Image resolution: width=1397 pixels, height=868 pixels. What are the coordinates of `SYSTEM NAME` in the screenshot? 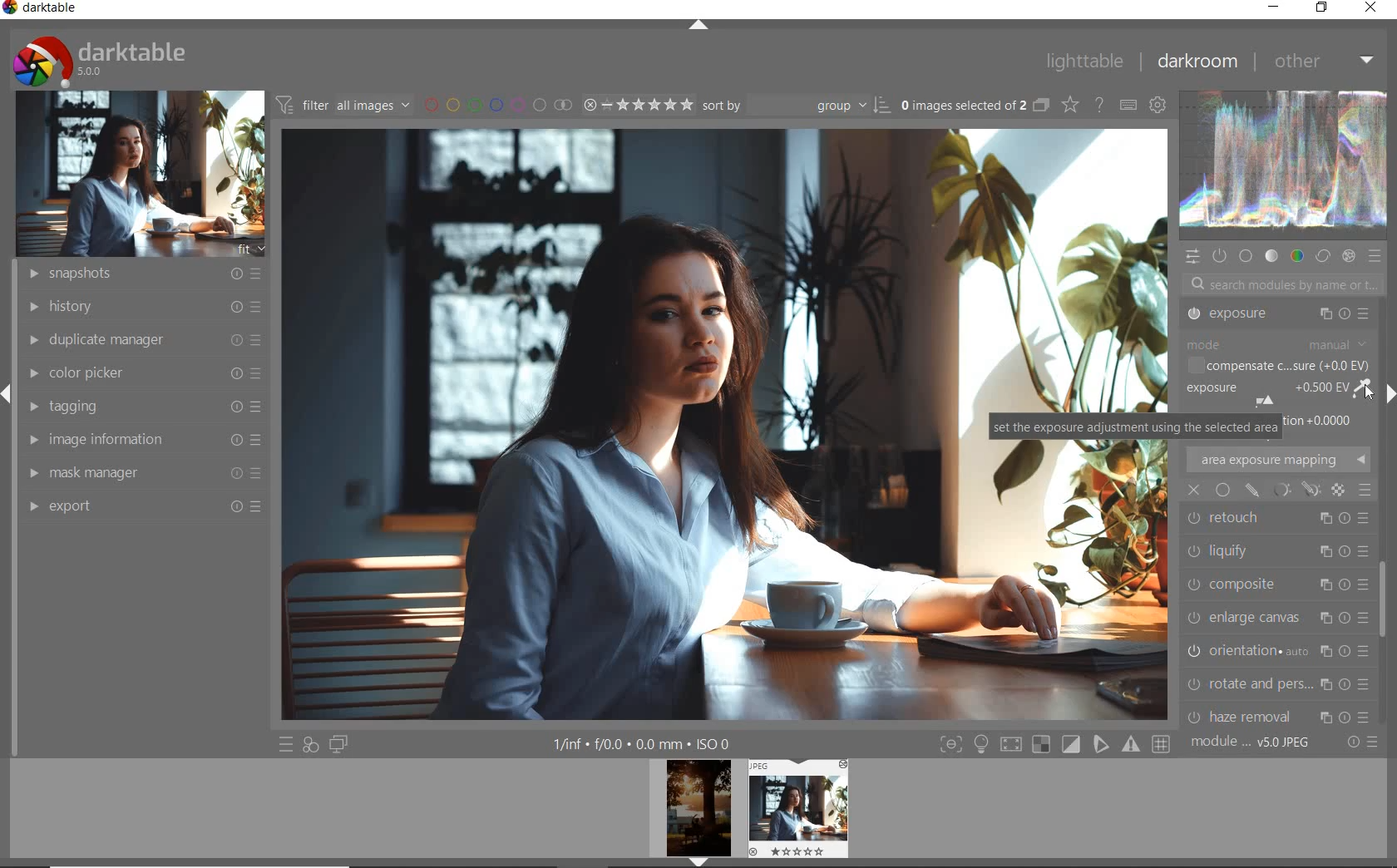 It's located at (42, 11).